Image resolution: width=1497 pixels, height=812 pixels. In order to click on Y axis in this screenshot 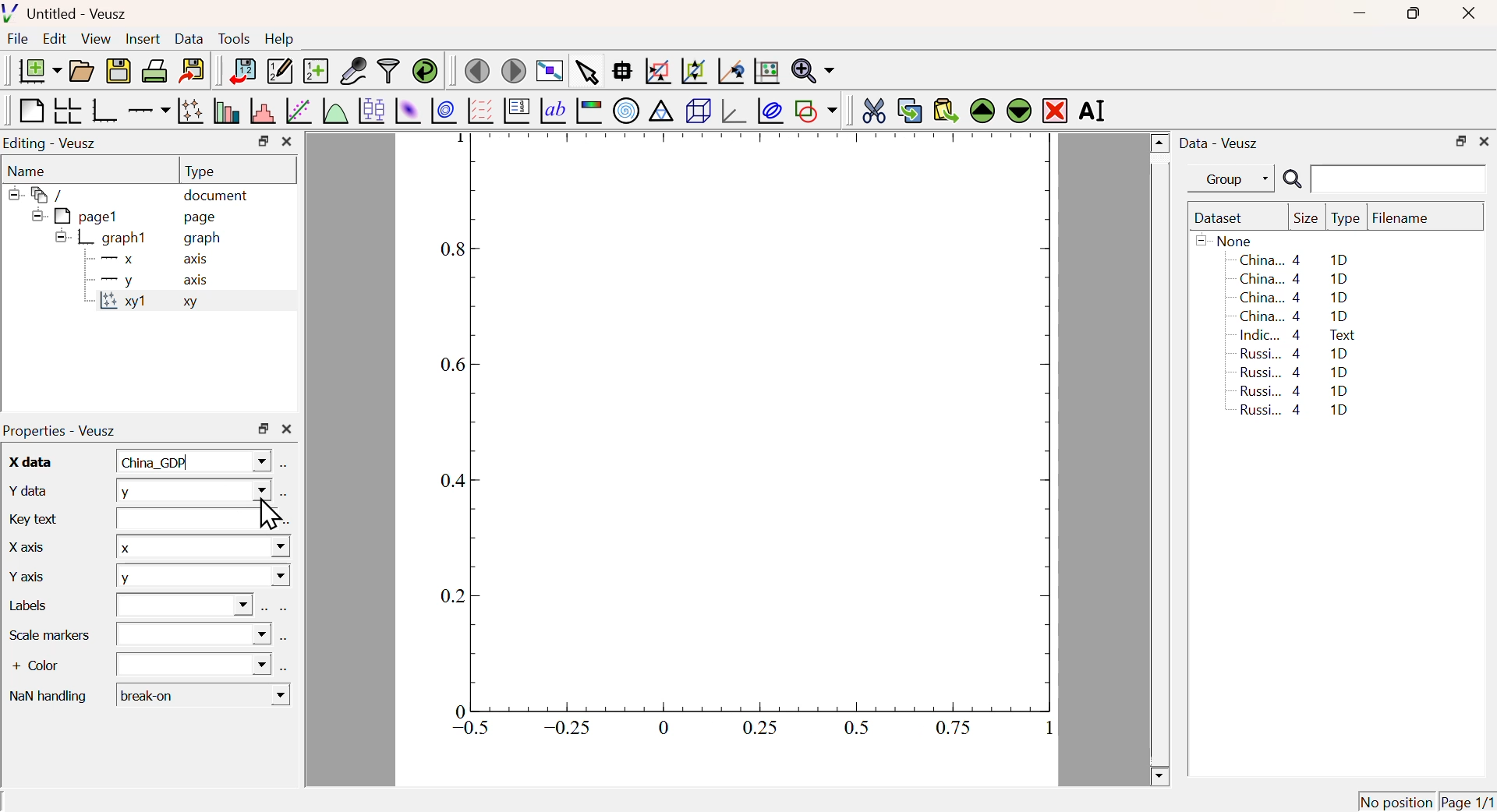, I will do `click(30, 574)`.